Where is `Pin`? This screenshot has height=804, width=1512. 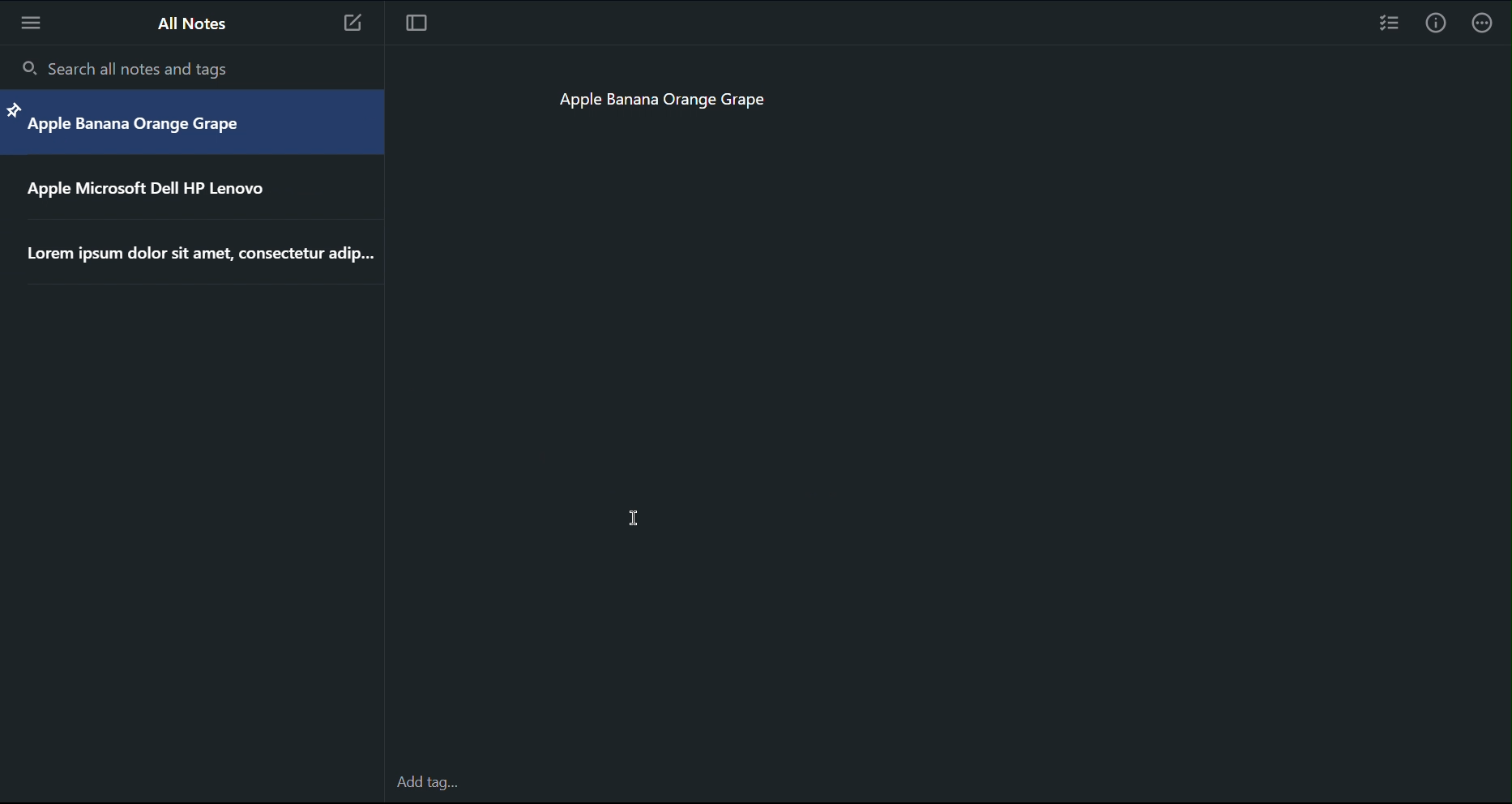
Pin is located at coordinates (14, 109).